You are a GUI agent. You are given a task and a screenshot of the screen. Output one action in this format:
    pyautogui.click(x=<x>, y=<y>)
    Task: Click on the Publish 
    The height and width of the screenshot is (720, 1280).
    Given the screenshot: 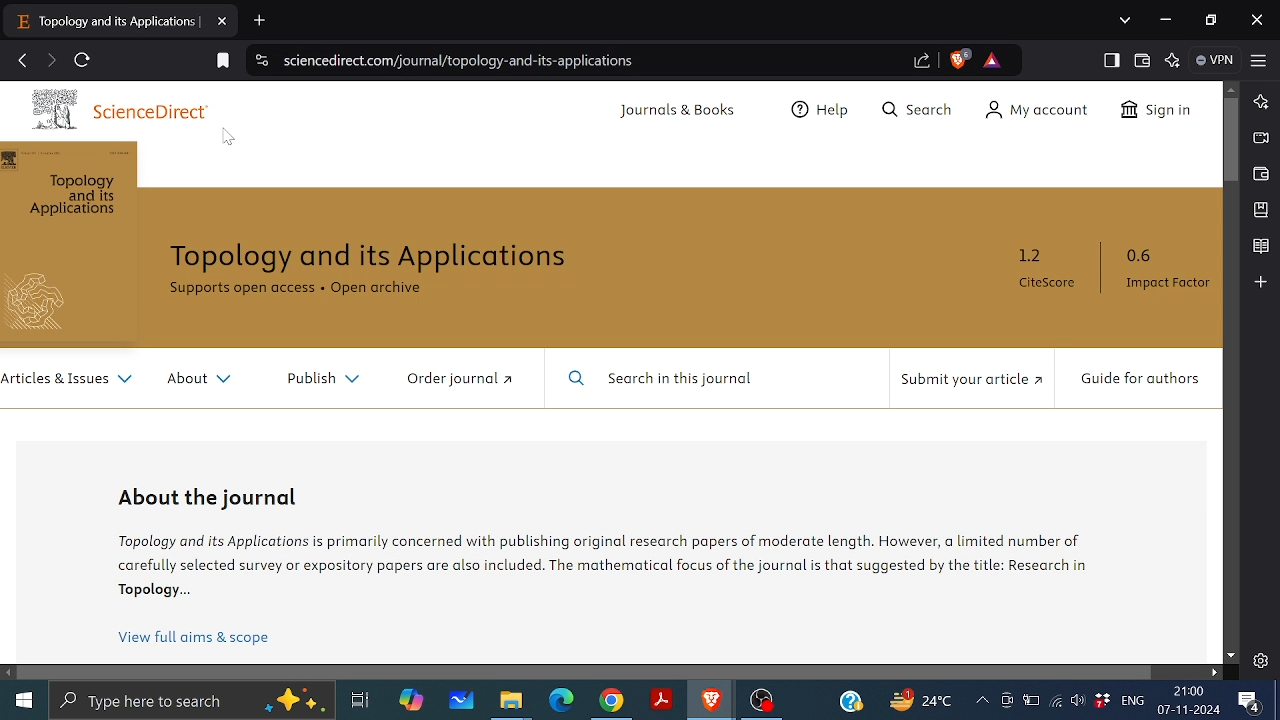 What is the action you would take?
    pyautogui.click(x=324, y=380)
    